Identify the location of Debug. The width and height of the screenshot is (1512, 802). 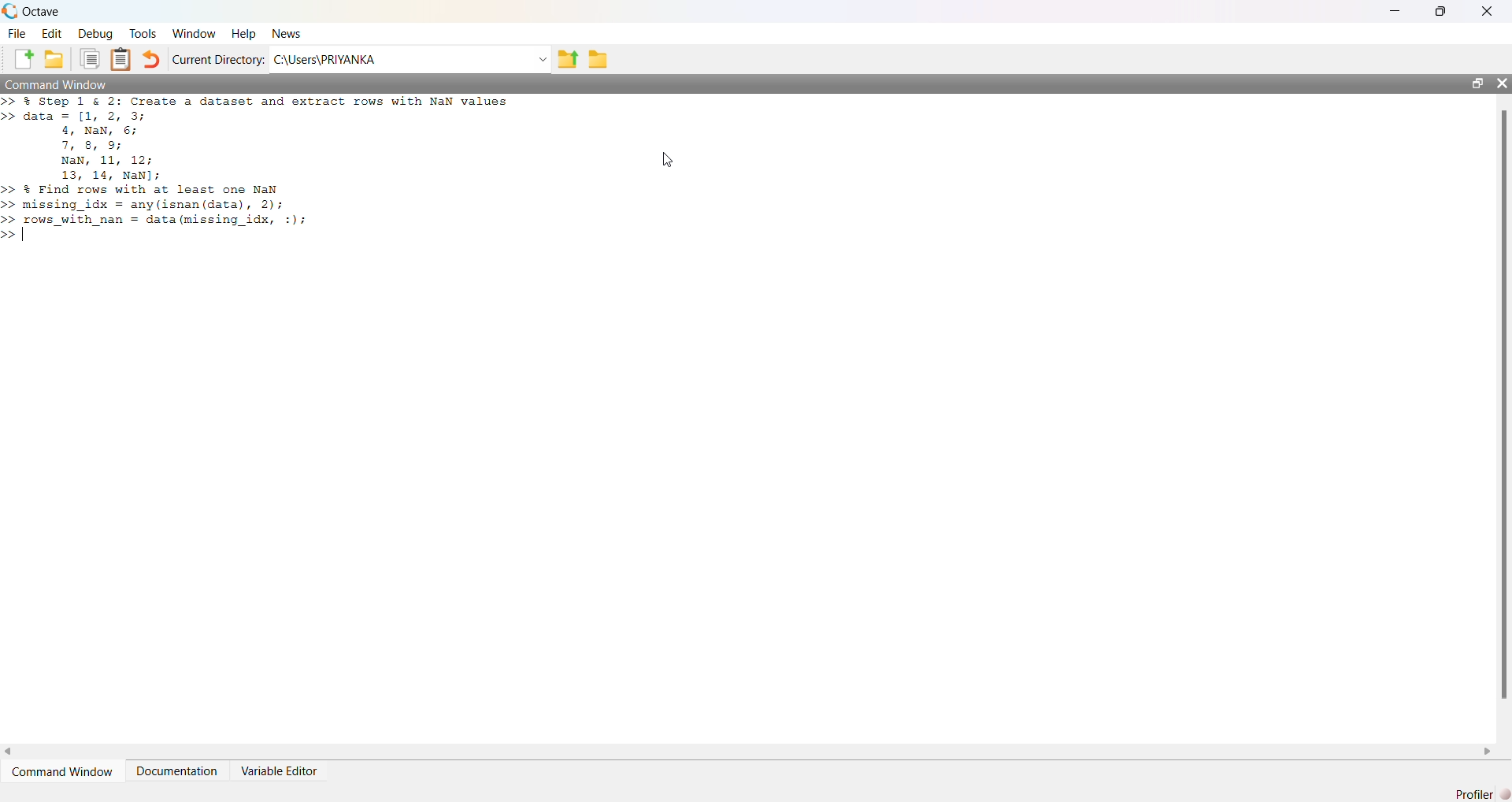
(95, 34).